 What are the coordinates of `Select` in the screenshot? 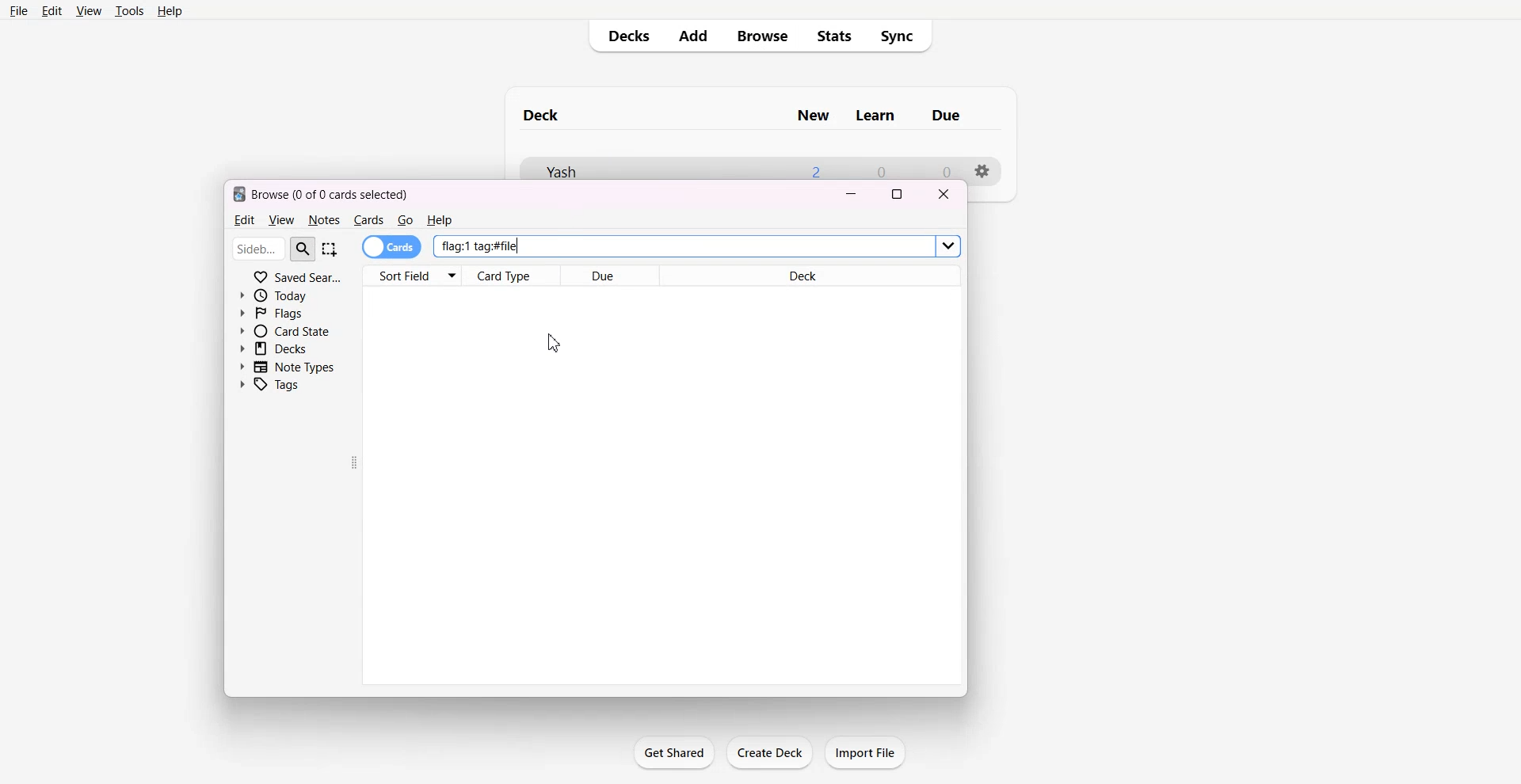 It's located at (335, 250).